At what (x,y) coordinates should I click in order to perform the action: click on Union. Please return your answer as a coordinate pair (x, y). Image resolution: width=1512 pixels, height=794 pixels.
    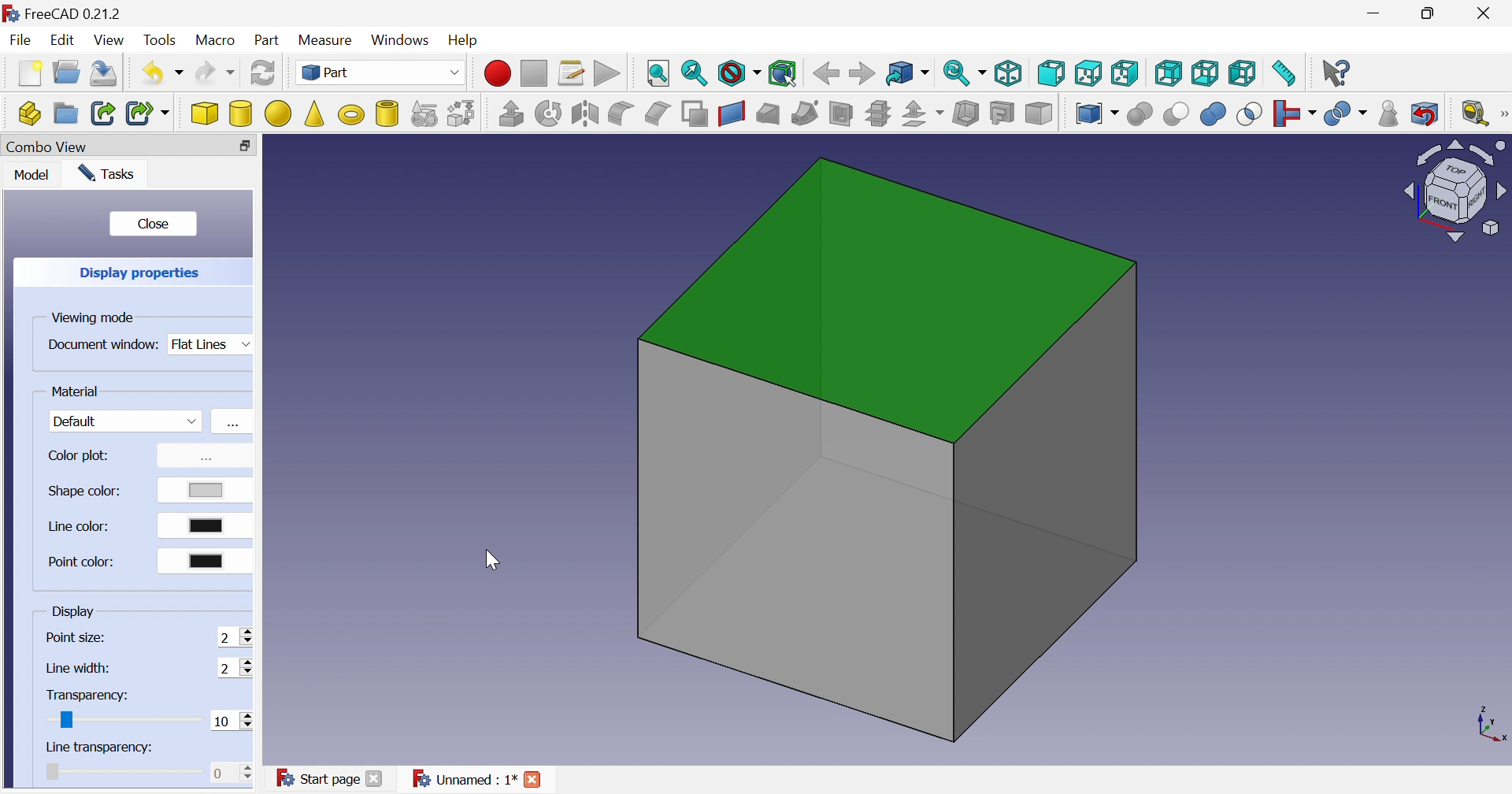
    Looking at the image, I should click on (1215, 113).